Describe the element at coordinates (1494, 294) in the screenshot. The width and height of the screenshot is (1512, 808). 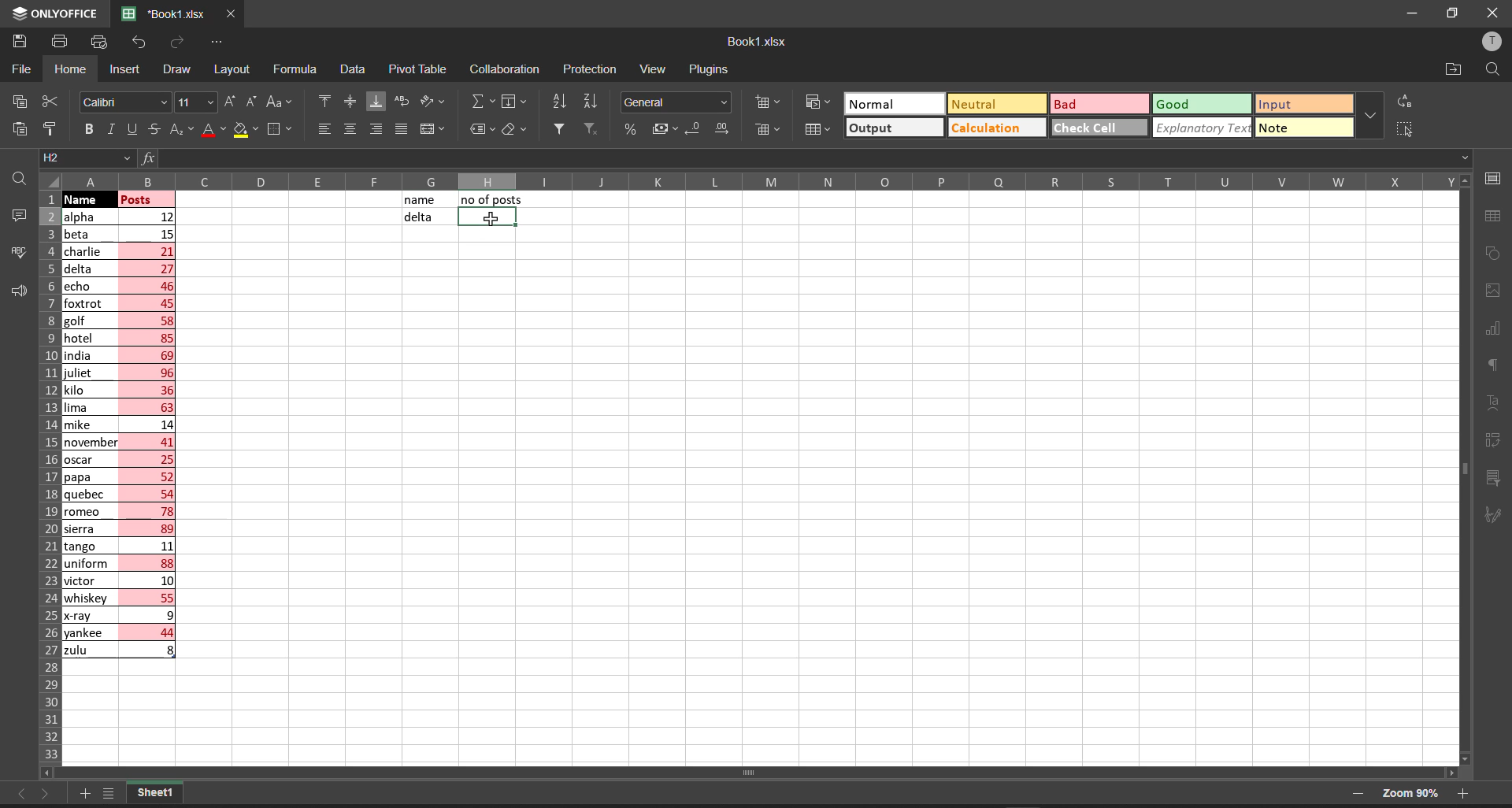
I see `image settings` at that location.